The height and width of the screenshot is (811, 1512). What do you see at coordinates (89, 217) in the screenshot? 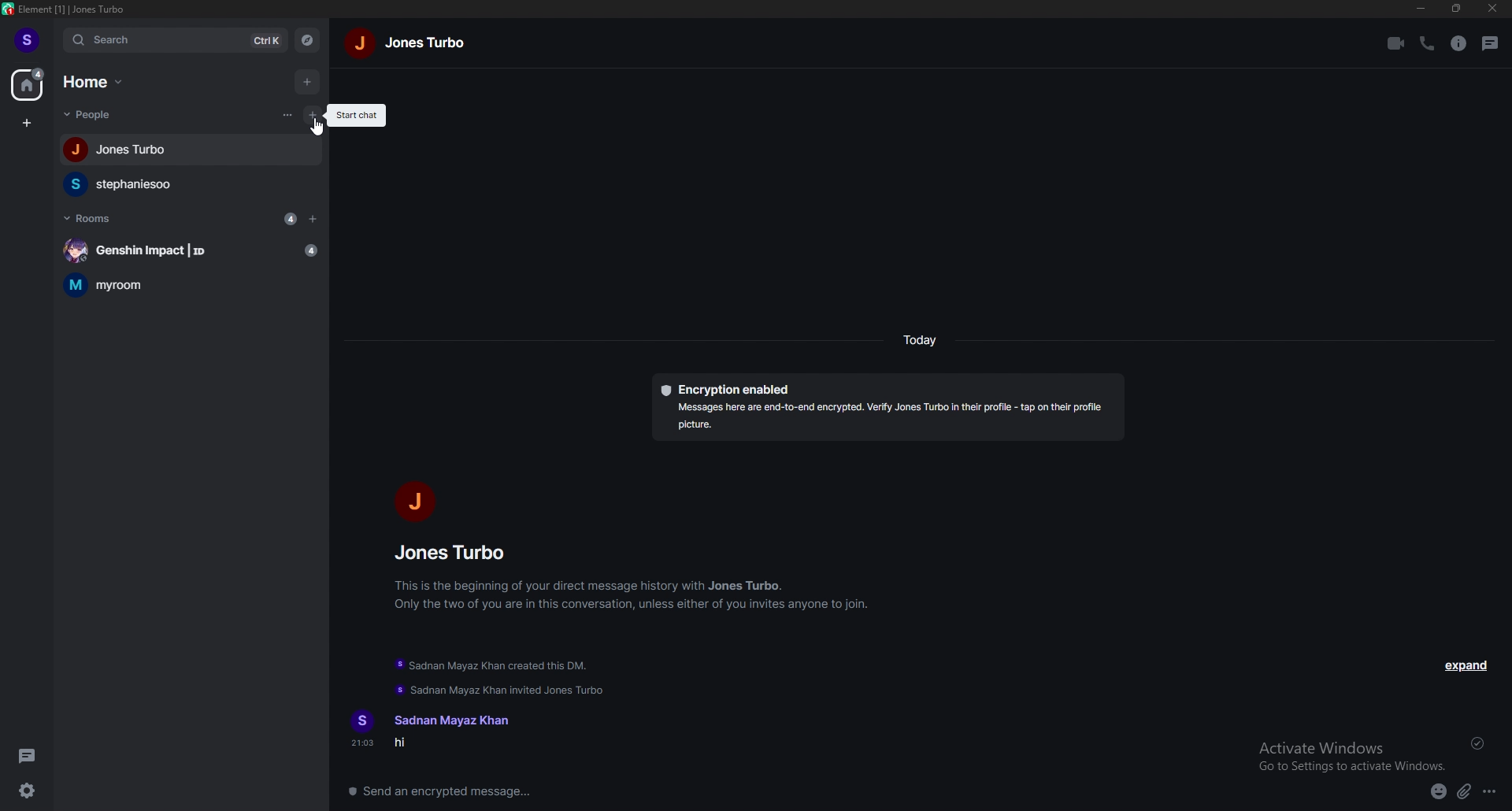
I see `rooms` at bounding box center [89, 217].